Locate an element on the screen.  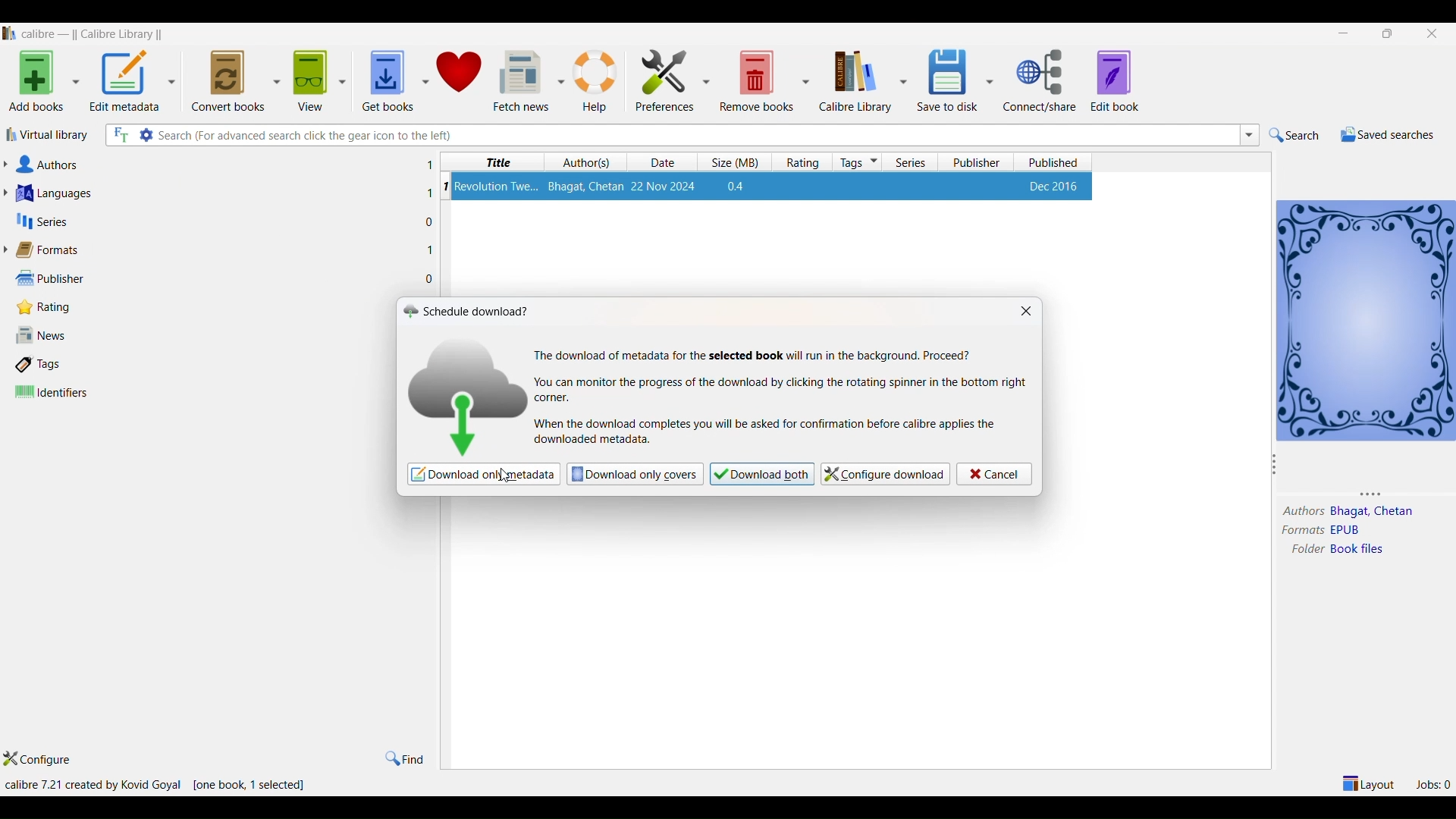
0 is located at coordinates (431, 221).